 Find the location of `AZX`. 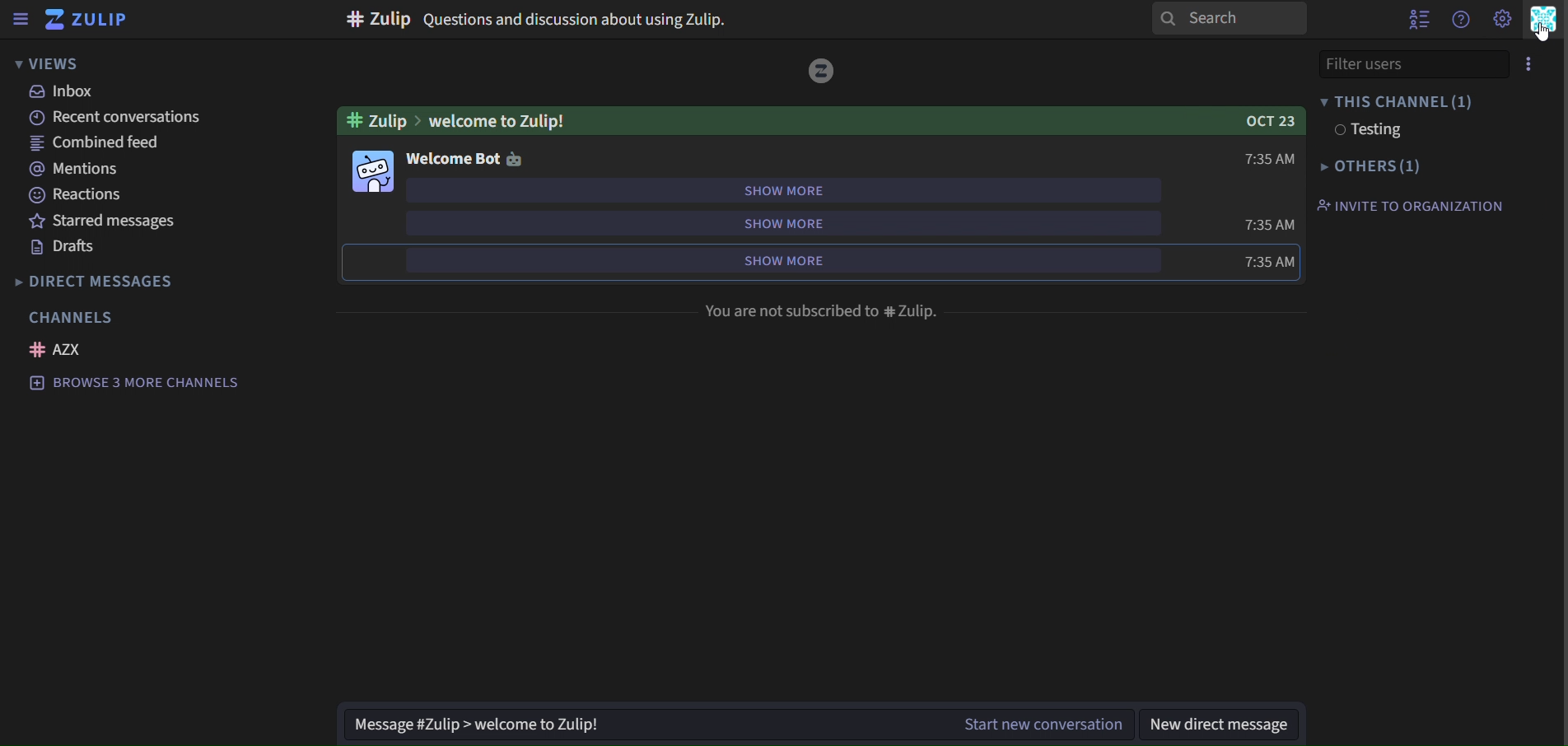

AZX is located at coordinates (62, 350).